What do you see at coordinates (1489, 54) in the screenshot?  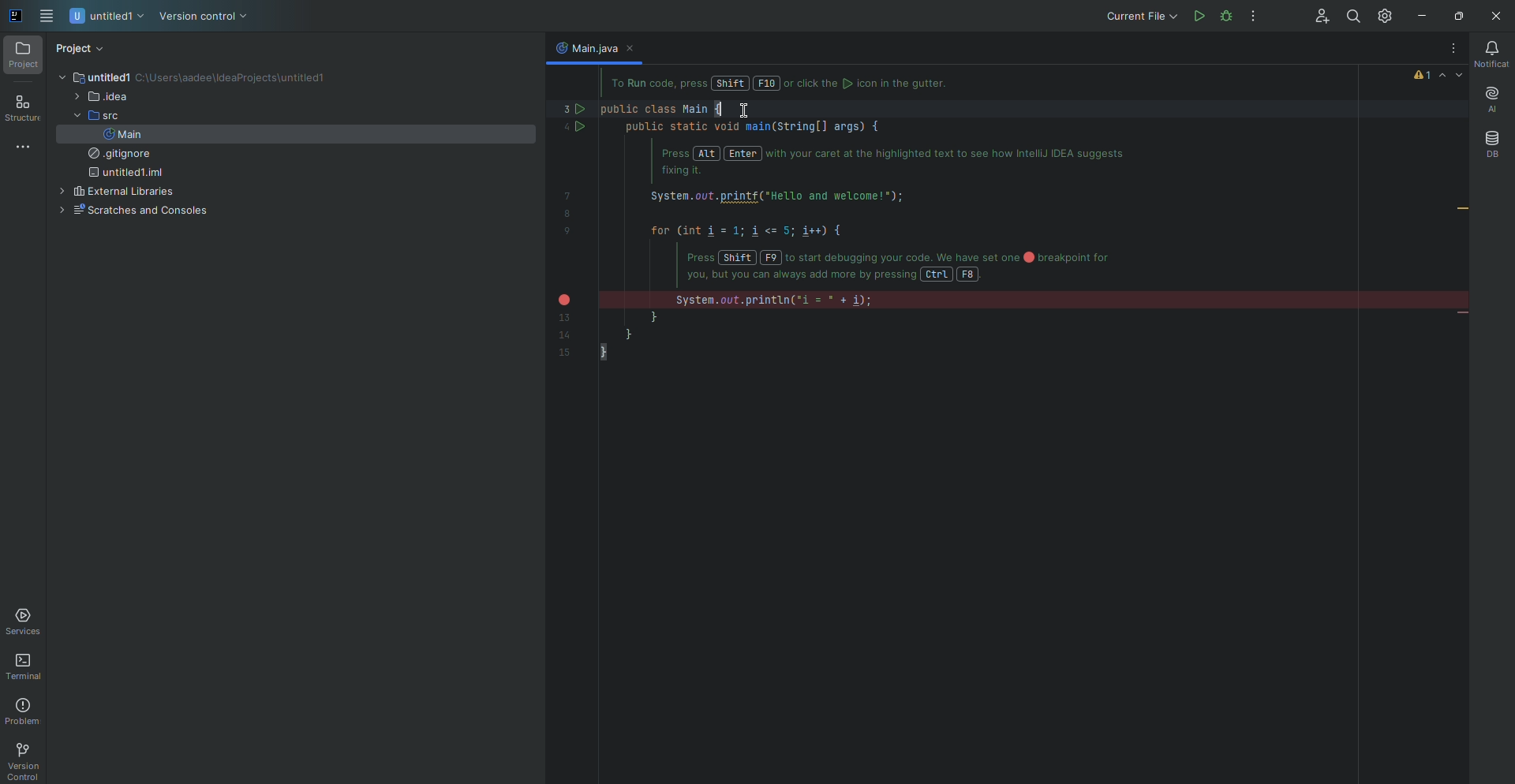 I see `Notifications` at bounding box center [1489, 54].